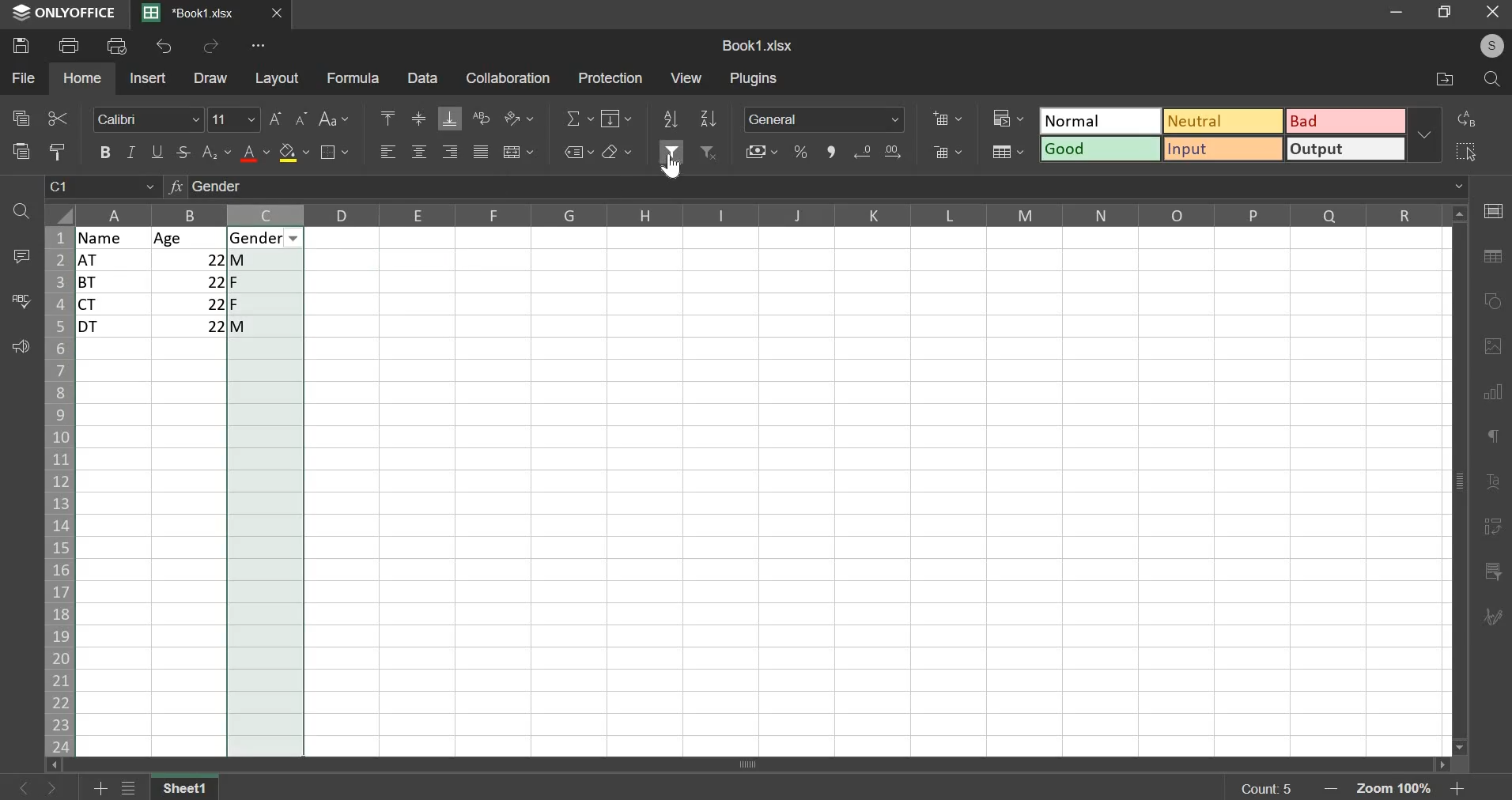  I want to click on signature, so click(1491, 618).